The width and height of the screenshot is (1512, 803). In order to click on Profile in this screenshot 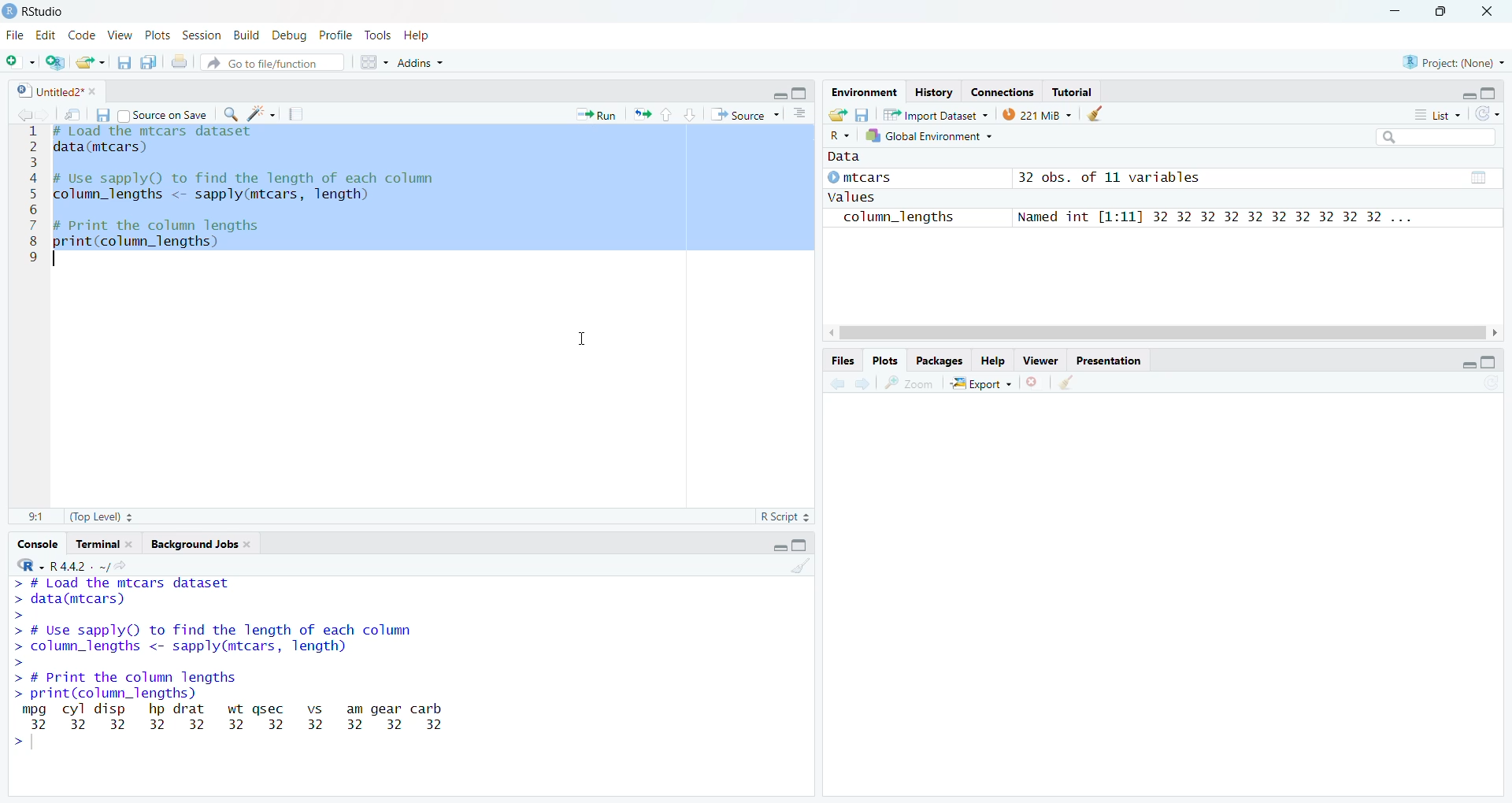, I will do `click(337, 35)`.